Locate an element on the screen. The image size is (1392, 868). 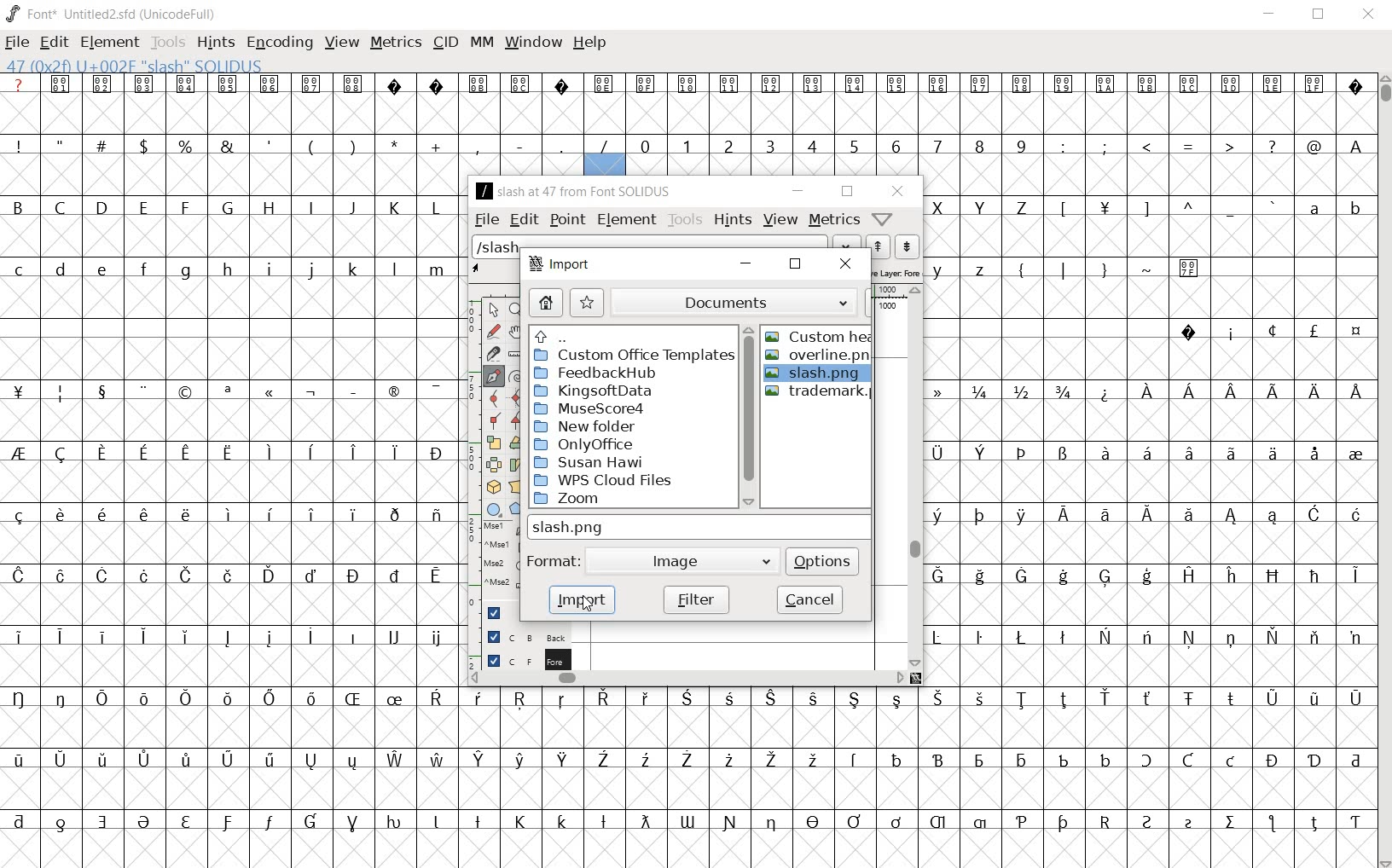
1000 is located at coordinates (889, 307).